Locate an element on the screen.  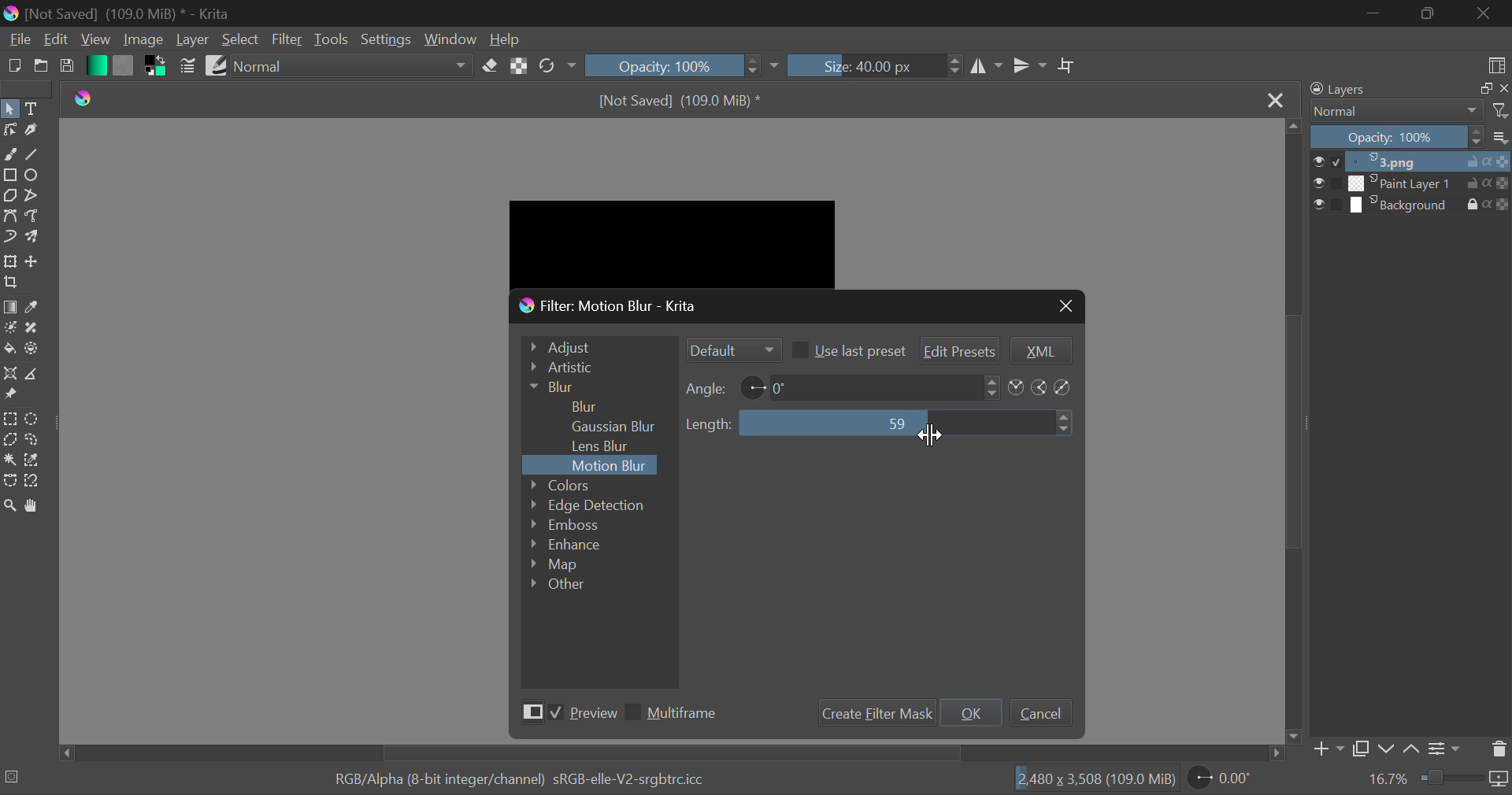
Transform Layers is located at coordinates (10, 262).